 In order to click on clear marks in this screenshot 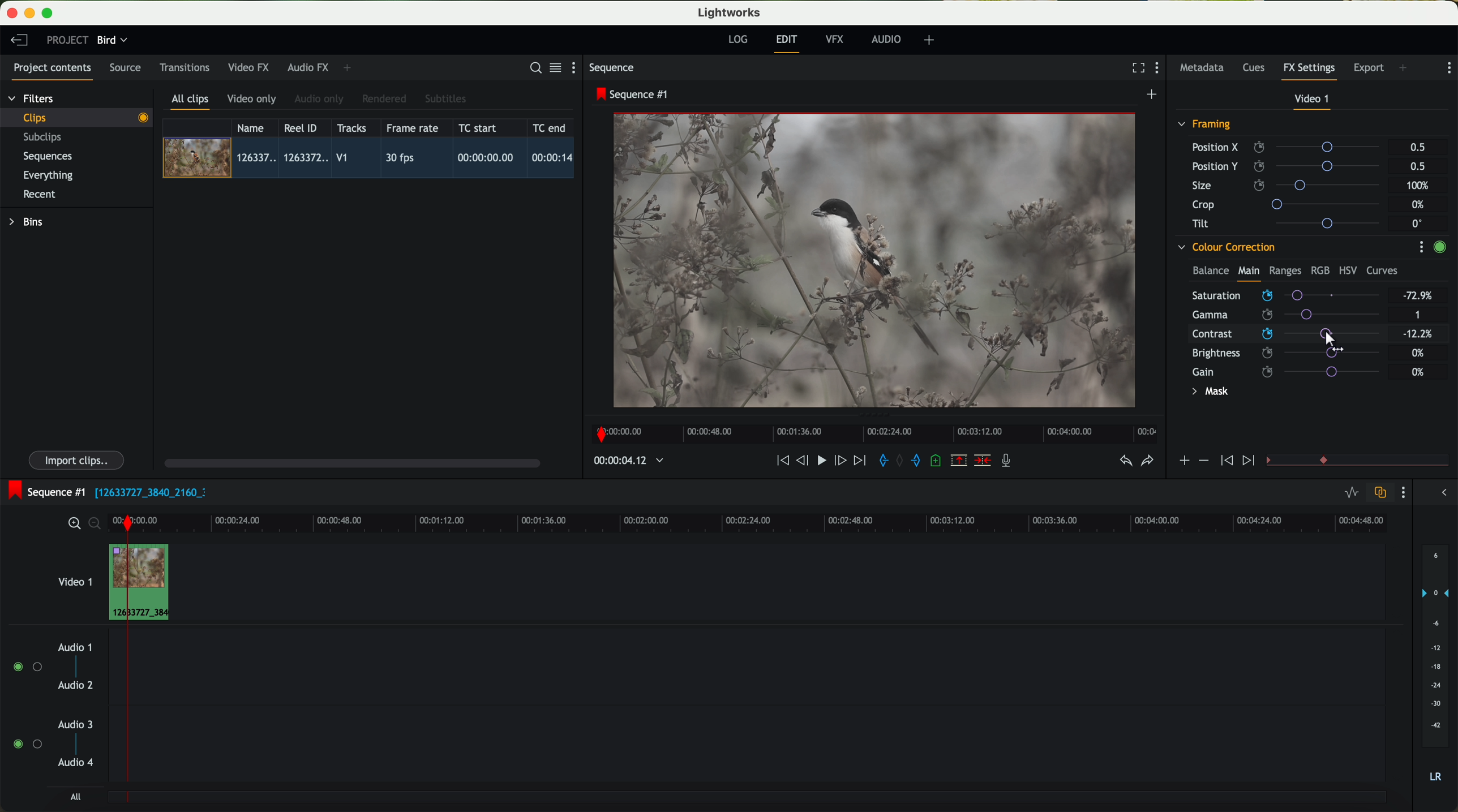, I will do `click(900, 461)`.